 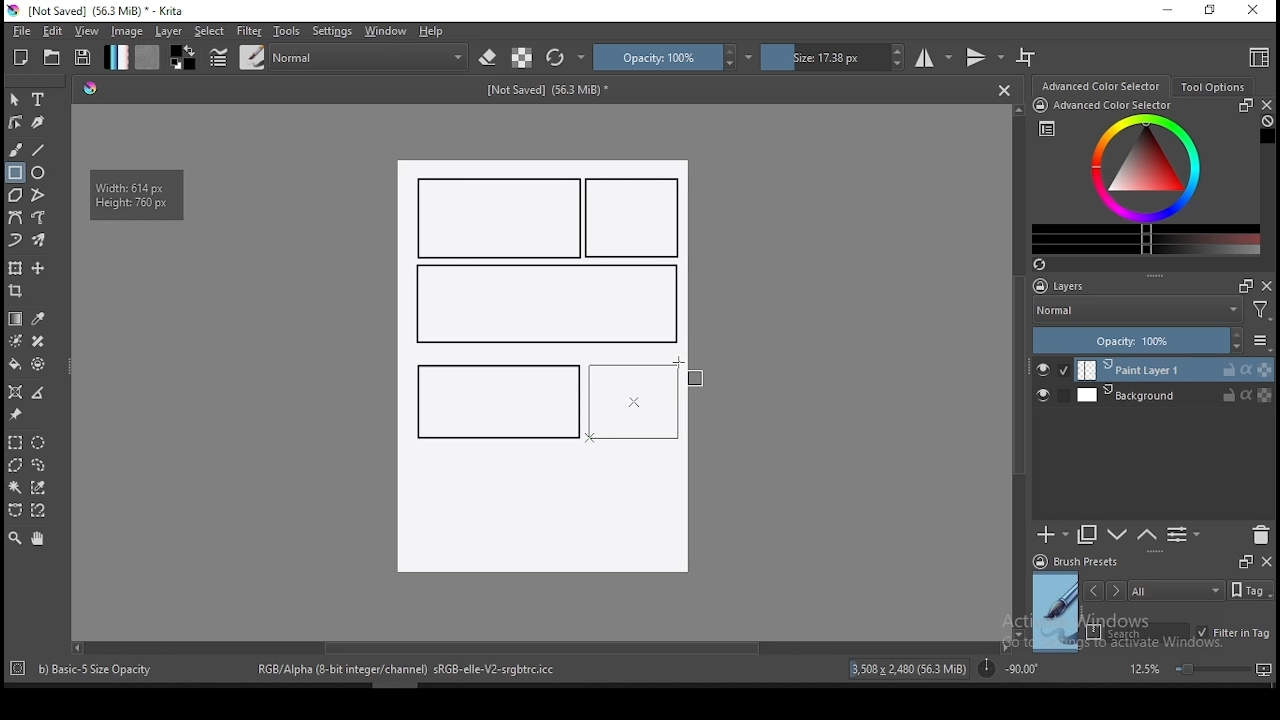 I want to click on select, so click(x=210, y=31).